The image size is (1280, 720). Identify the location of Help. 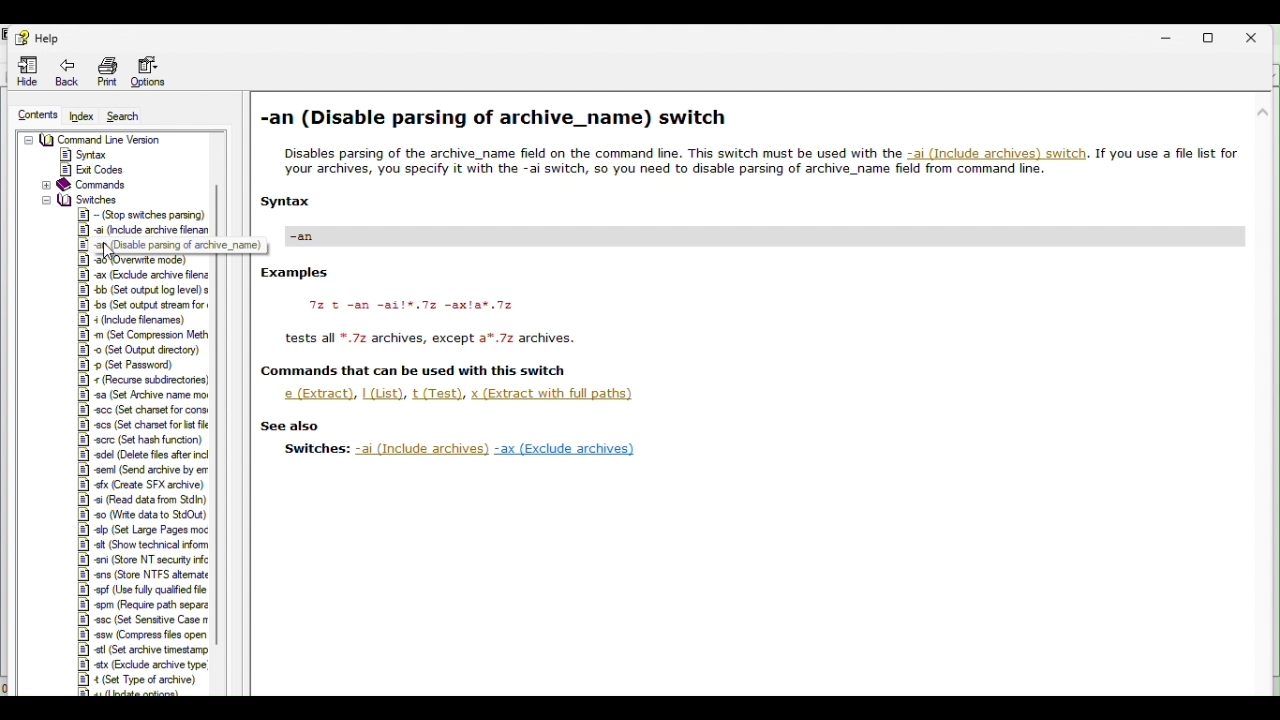
(39, 38).